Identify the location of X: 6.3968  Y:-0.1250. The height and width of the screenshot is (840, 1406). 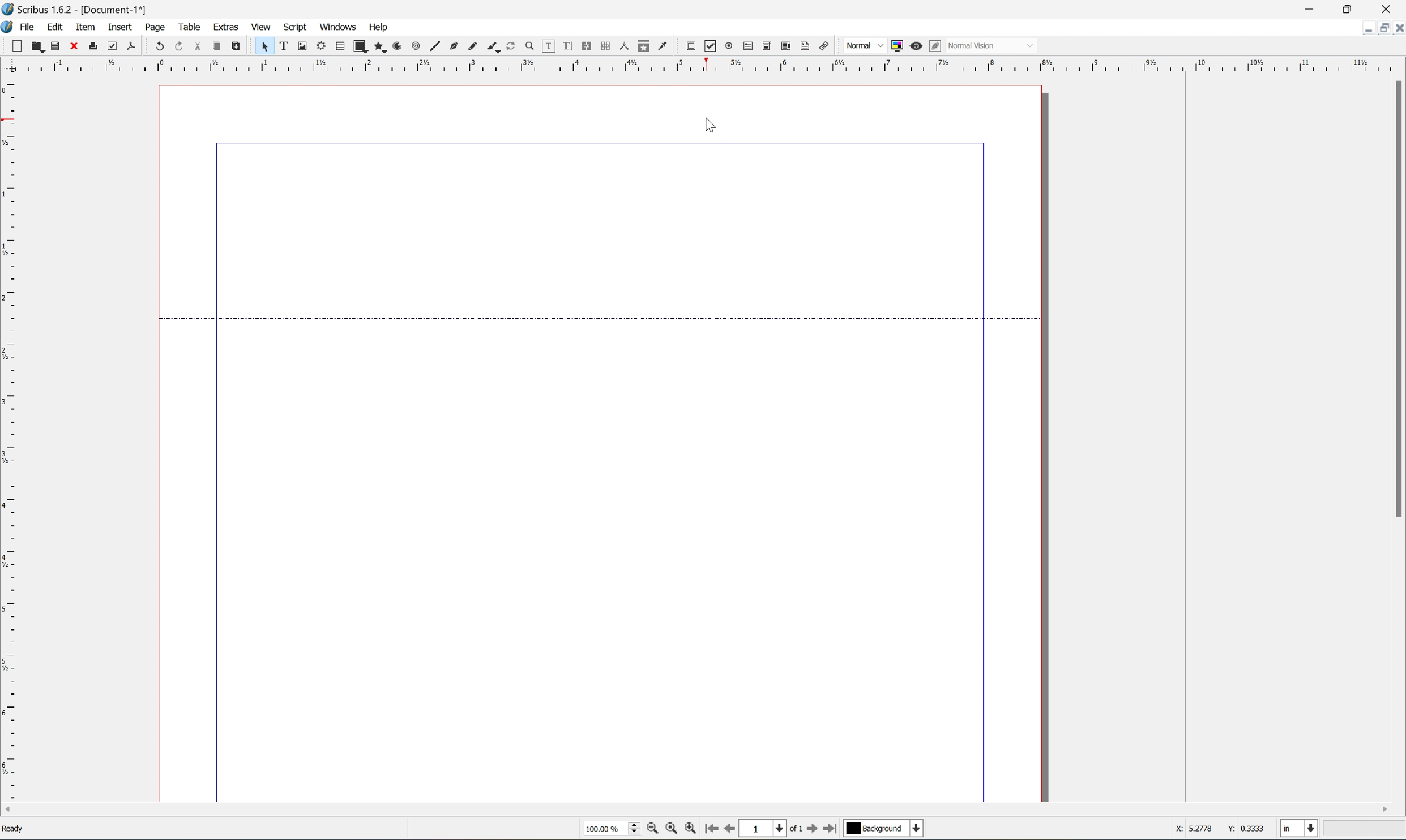
(1217, 828).